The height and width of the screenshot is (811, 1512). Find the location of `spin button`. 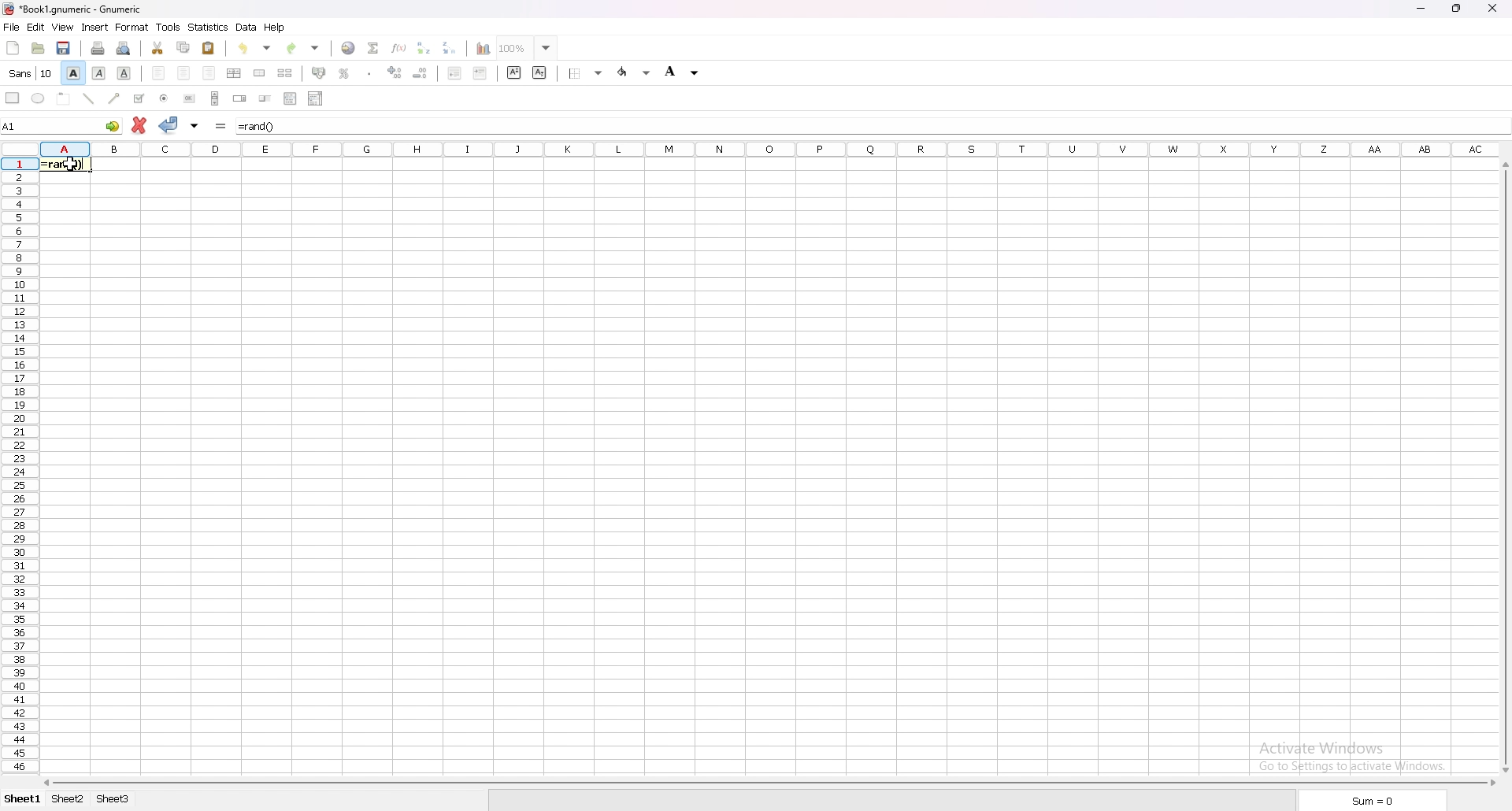

spin button is located at coordinates (240, 98).